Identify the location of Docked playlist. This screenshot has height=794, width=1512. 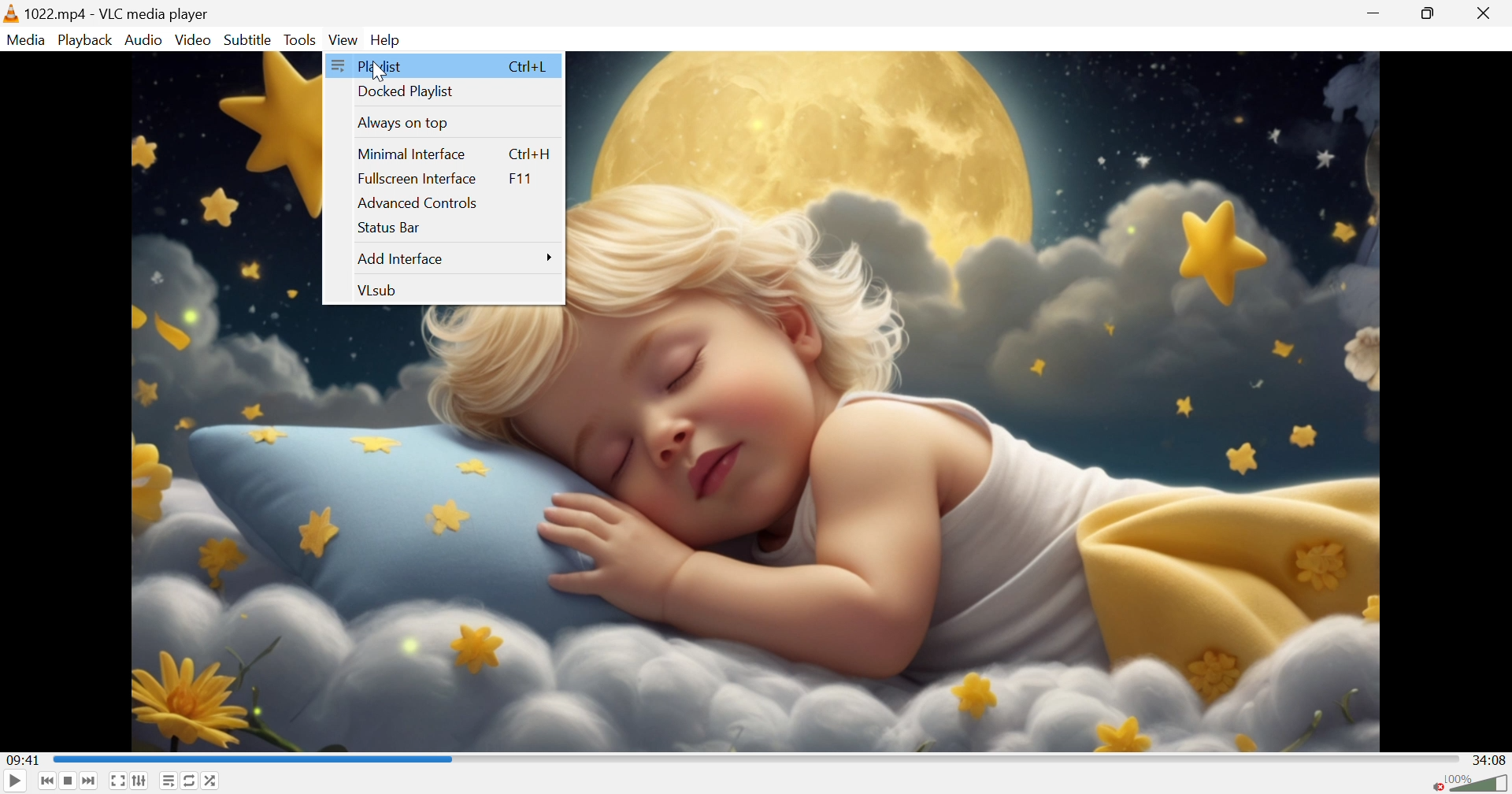
(407, 92).